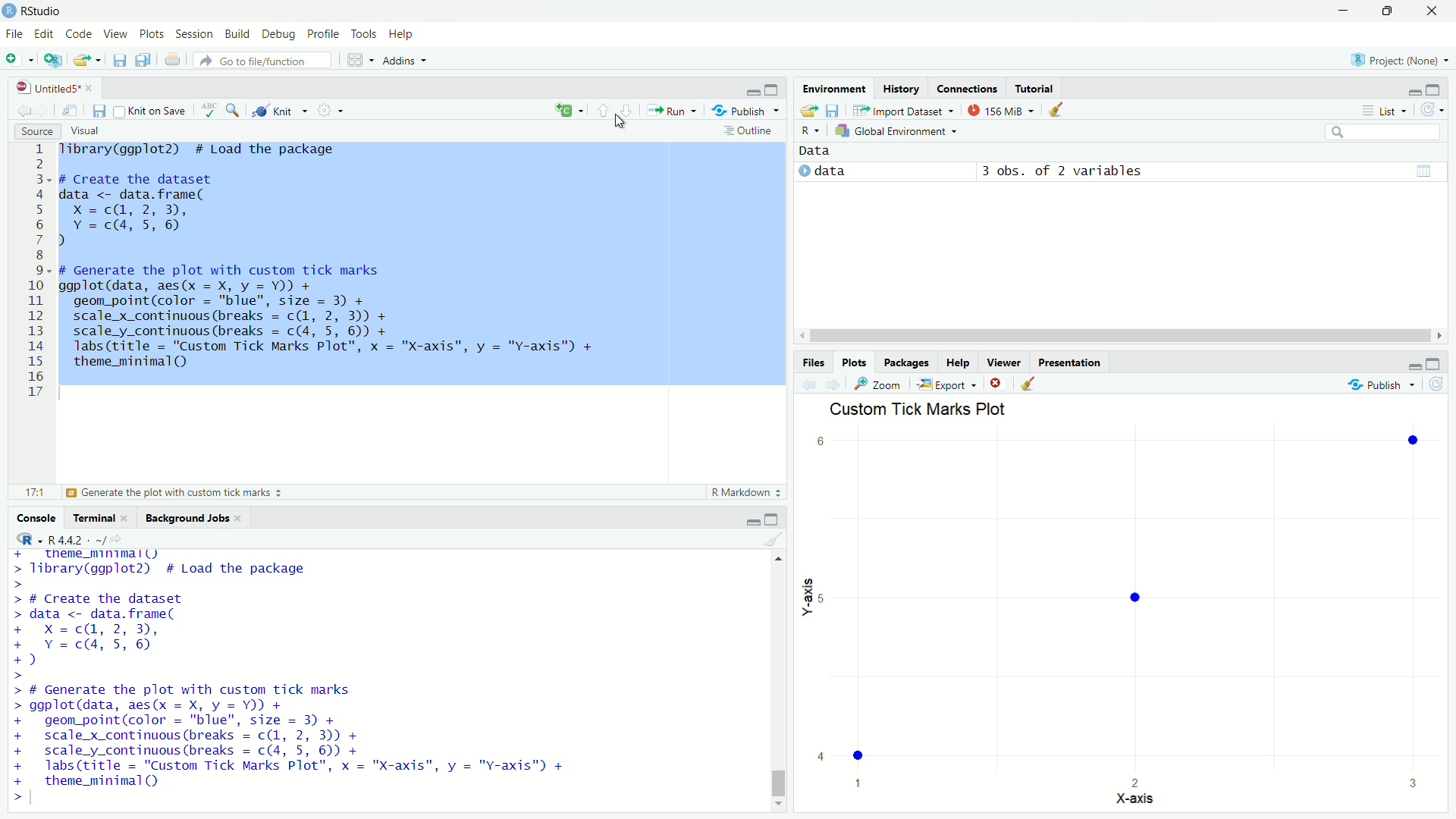  What do you see at coordinates (204, 563) in the screenshot?
I see `library to load the package` at bounding box center [204, 563].